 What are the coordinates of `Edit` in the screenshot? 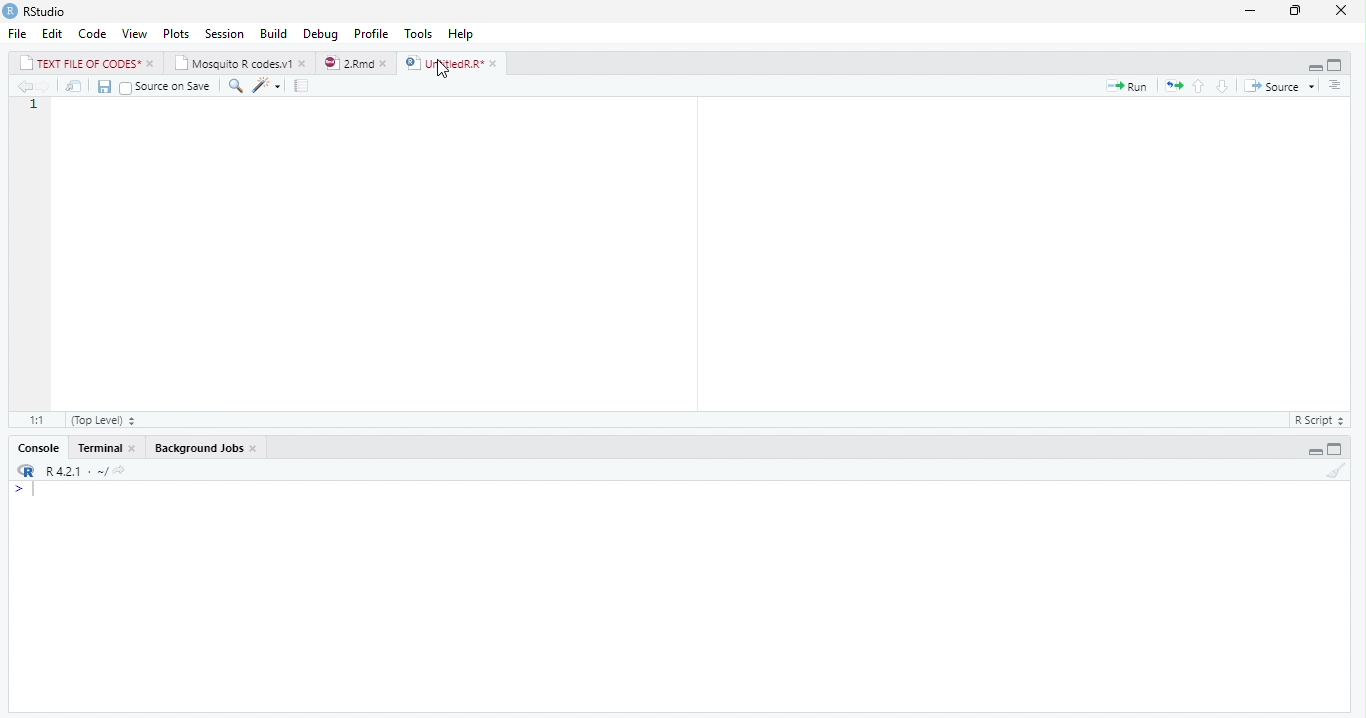 It's located at (54, 33).